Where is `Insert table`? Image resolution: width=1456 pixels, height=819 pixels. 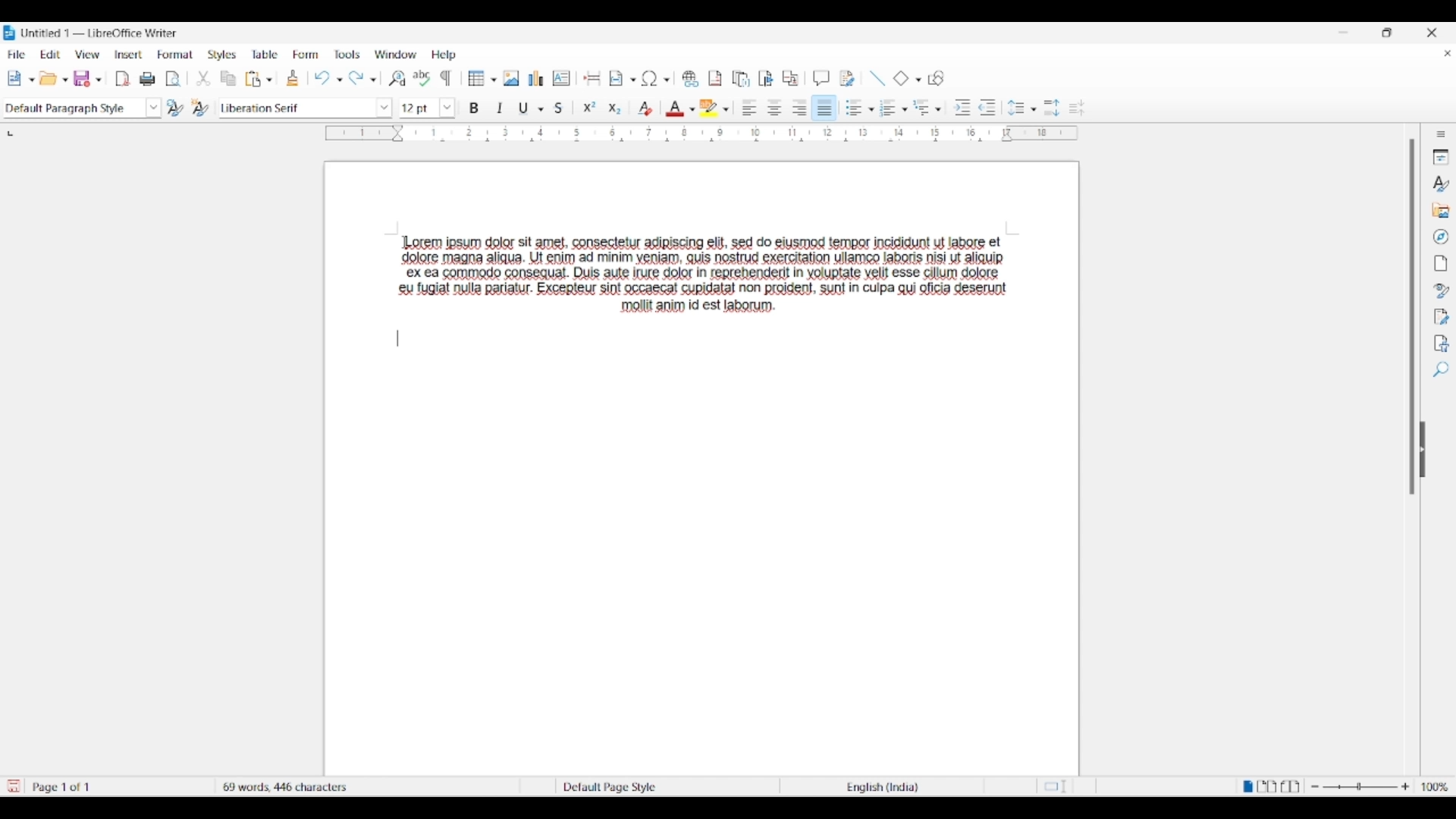
Insert table is located at coordinates (482, 78).